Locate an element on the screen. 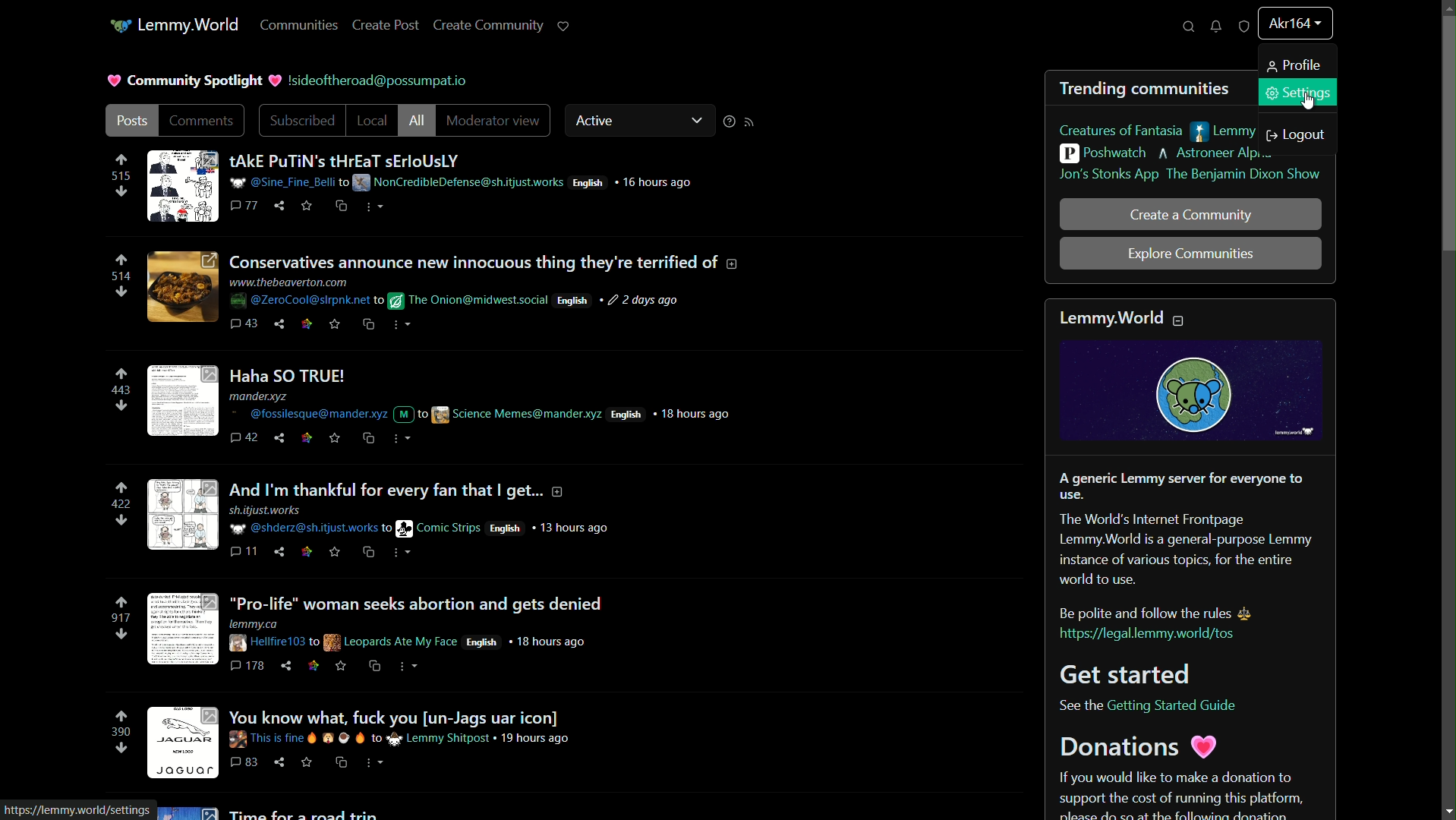 The height and width of the screenshot is (820, 1456). icon is located at coordinates (118, 27).